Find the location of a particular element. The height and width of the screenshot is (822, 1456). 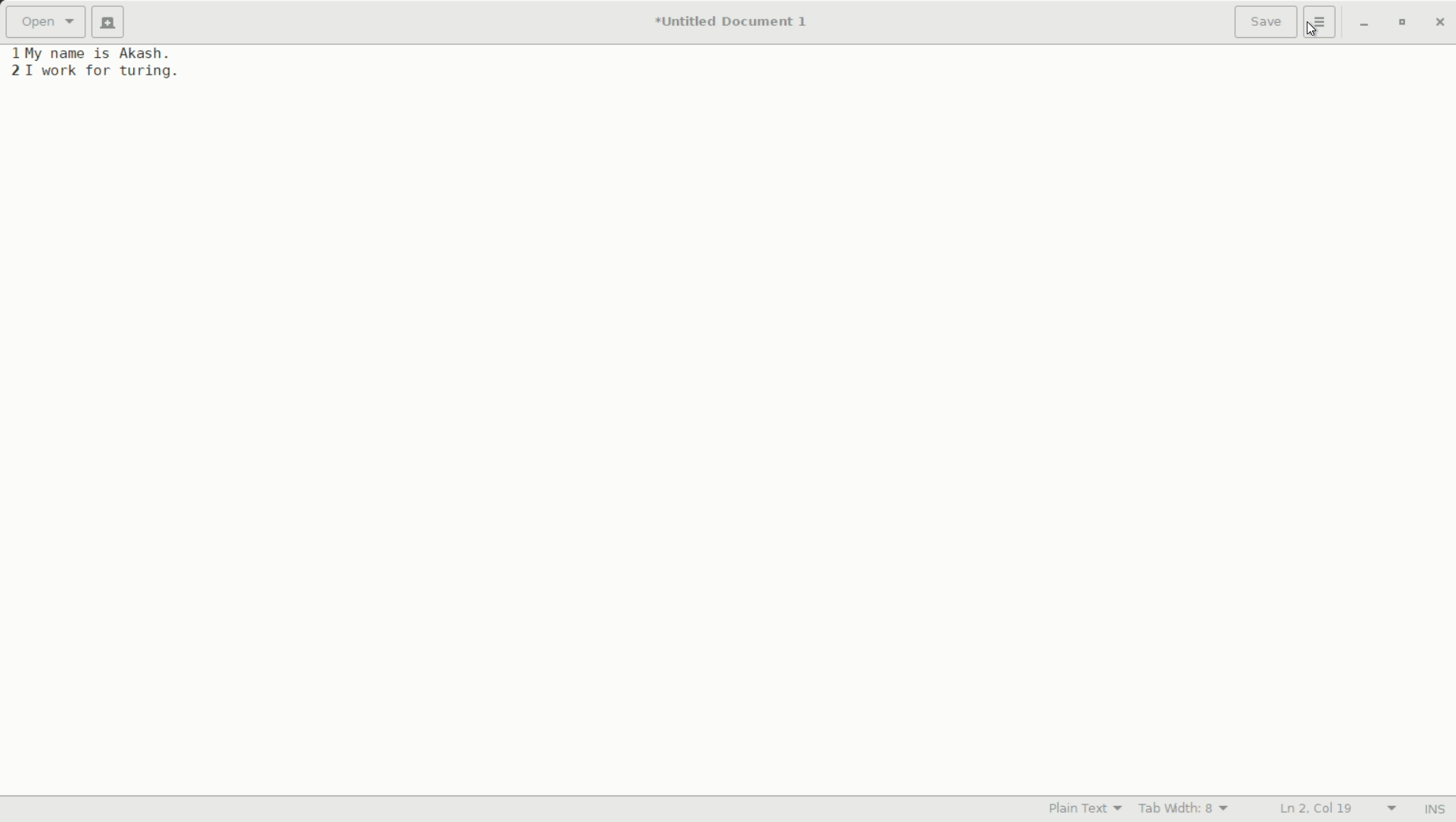

close app is located at coordinates (1438, 24).